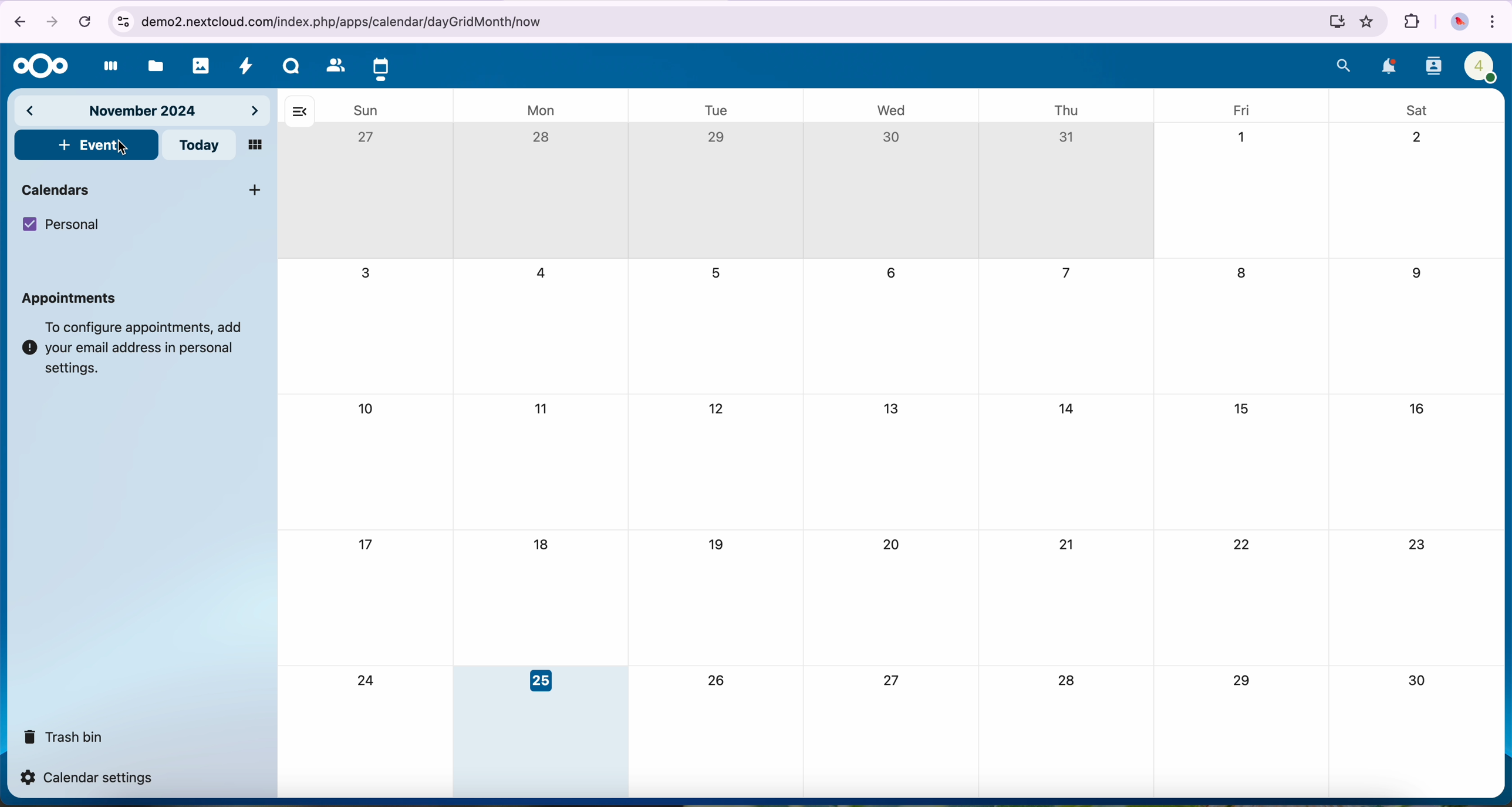 The width and height of the screenshot is (1512, 807). Describe the element at coordinates (381, 67) in the screenshot. I see `click on calendar` at that location.